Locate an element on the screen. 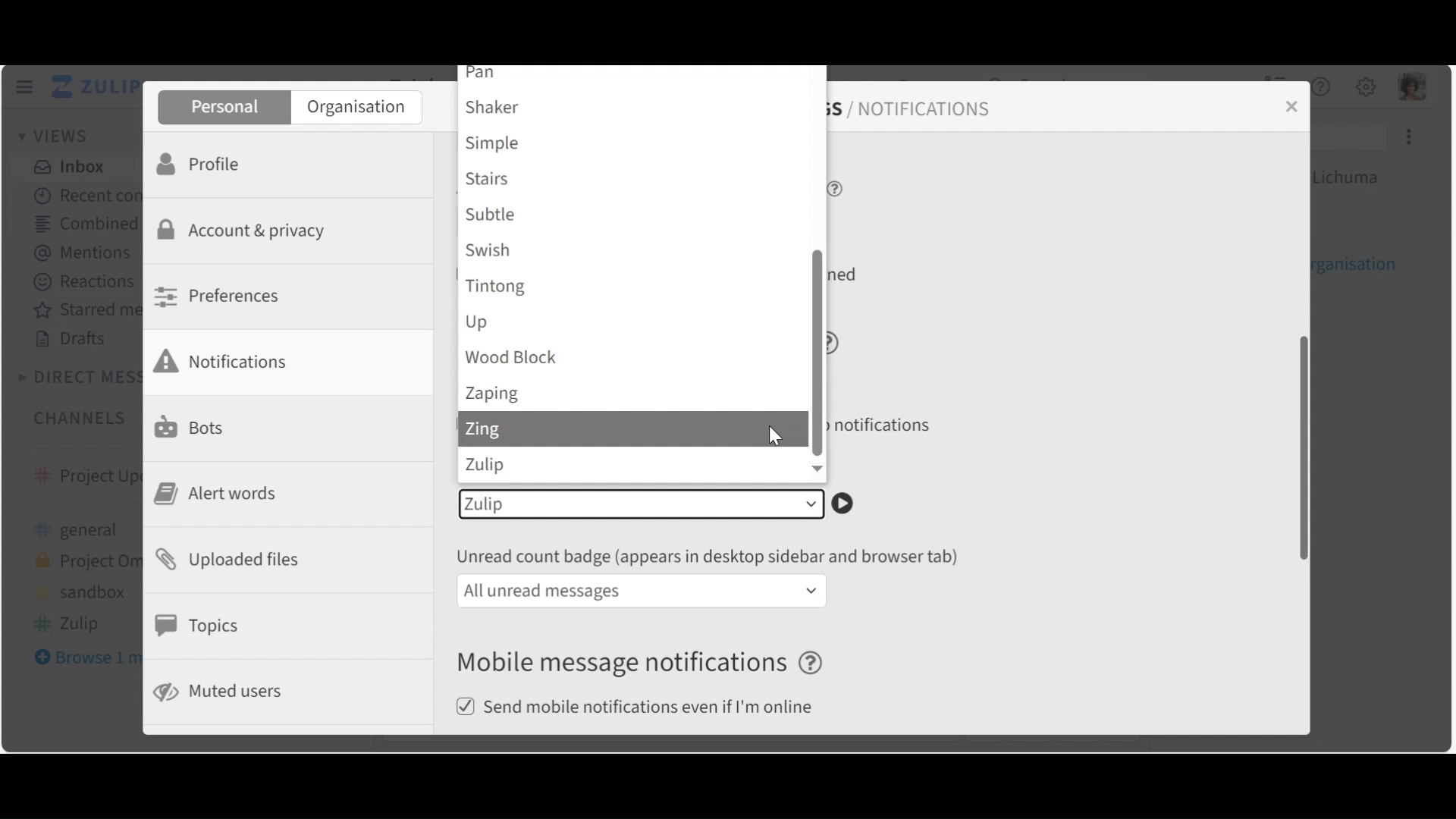  Alert Words is located at coordinates (221, 494).